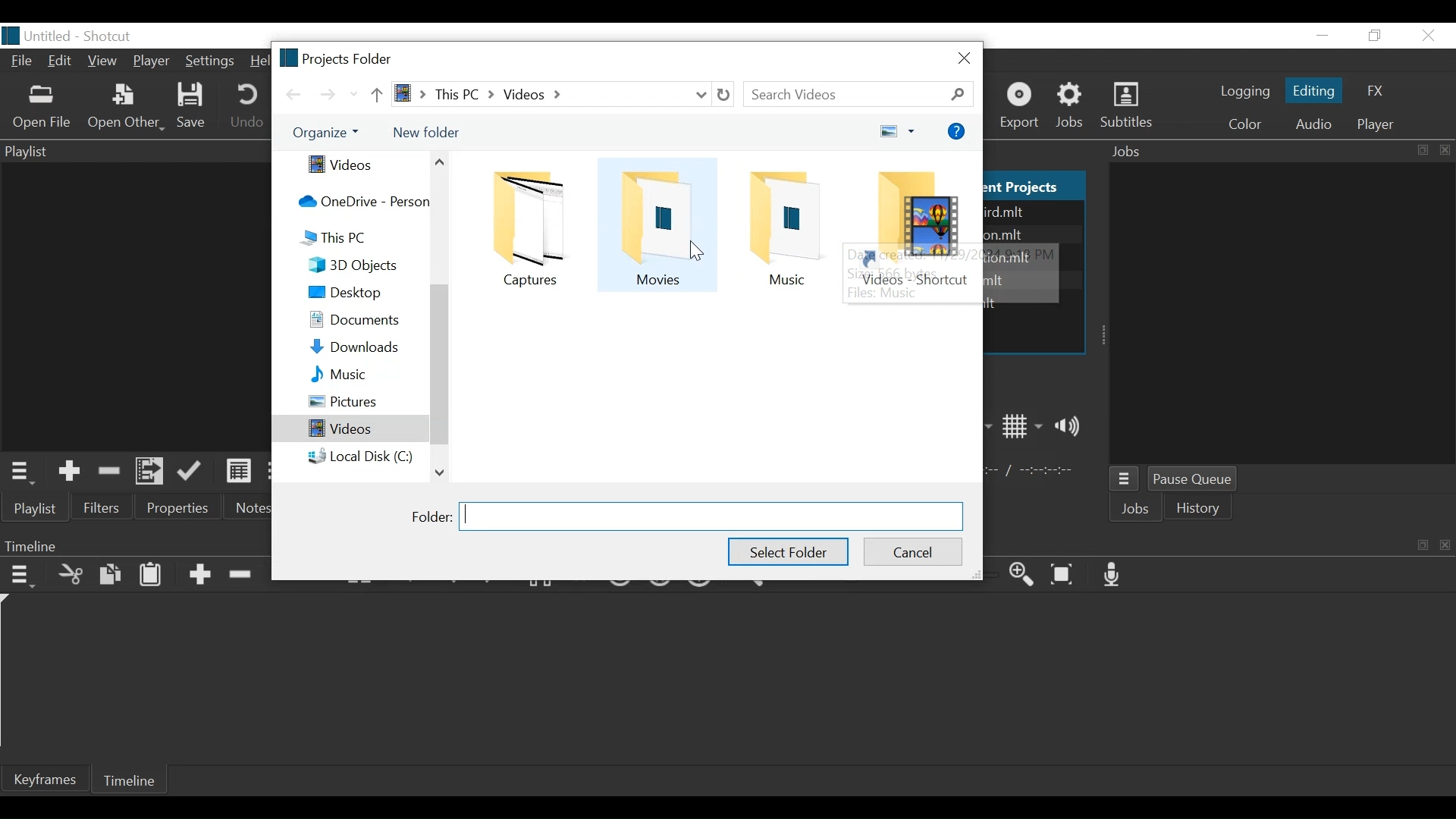  What do you see at coordinates (1202, 508) in the screenshot?
I see `istory` at bounding box center [1202, 508].